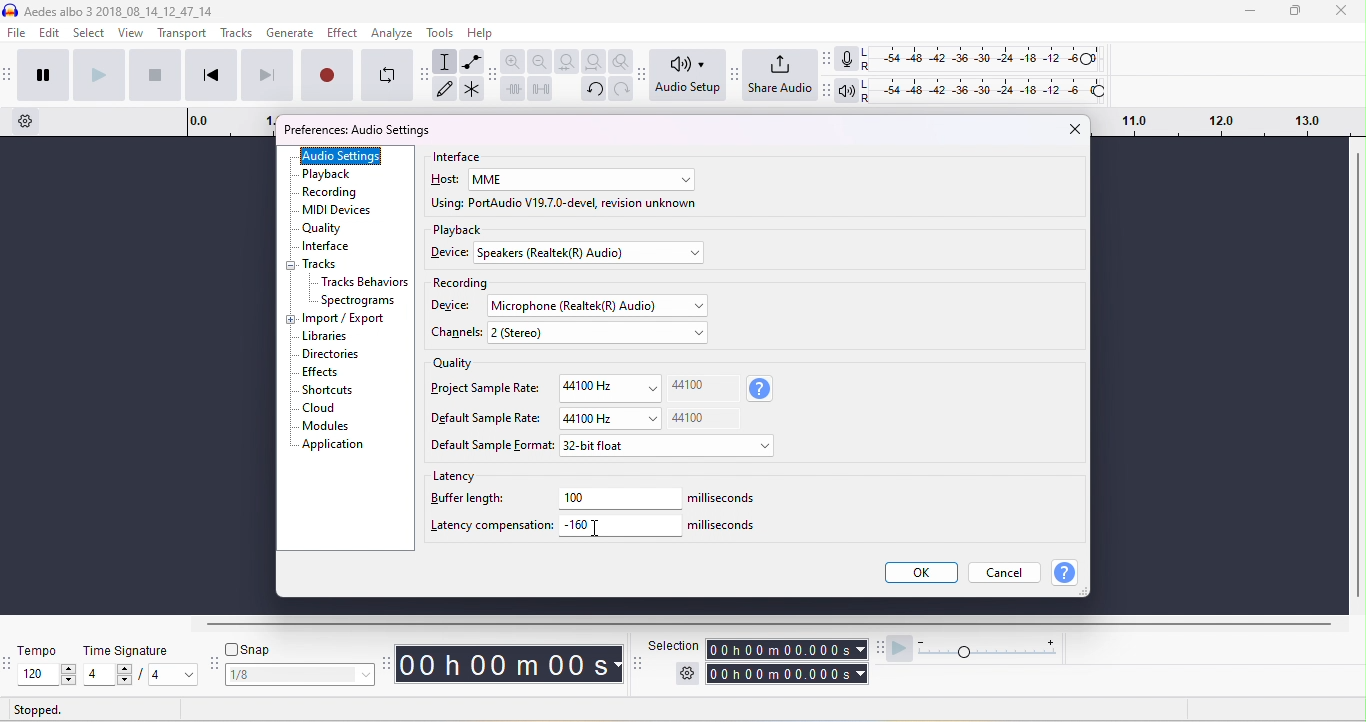  I want to click on drag time looping region, so click(1224, 123).